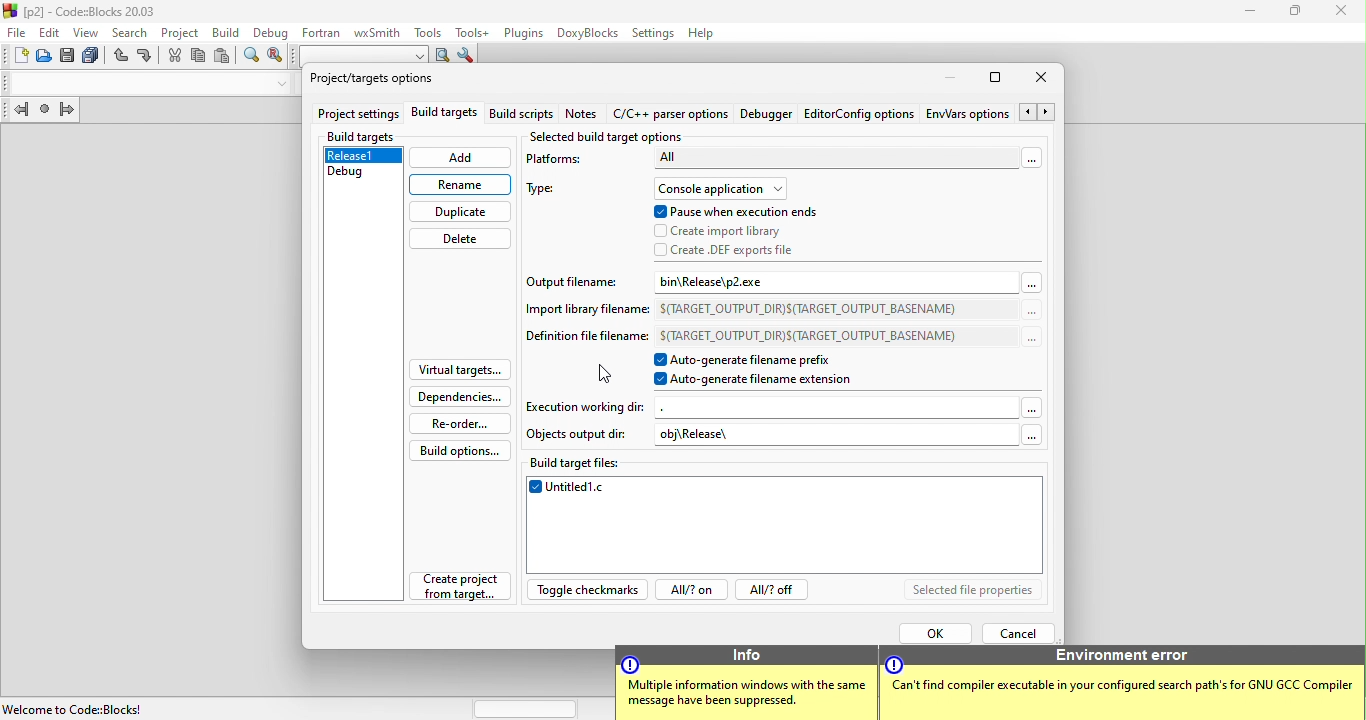  What do you see at coordinates (94, 57) in the screenshot?
I see `save everything` at bounding box center [94, 57].